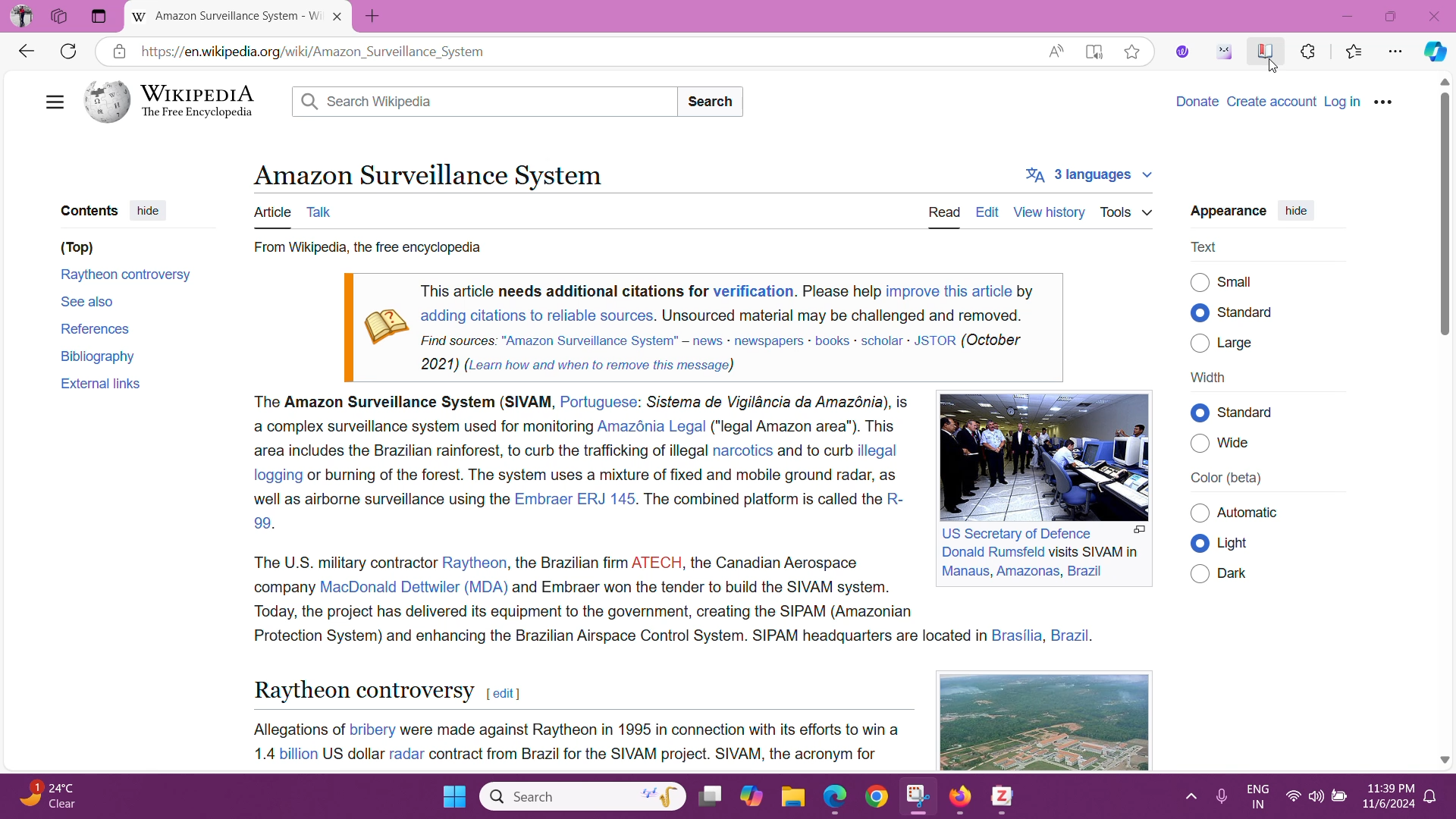 This screenshot has height=819, width=1456. What do you see at coordinates (260, 753) in the screenshot?
I see `14` at bounding box center [260, 753].